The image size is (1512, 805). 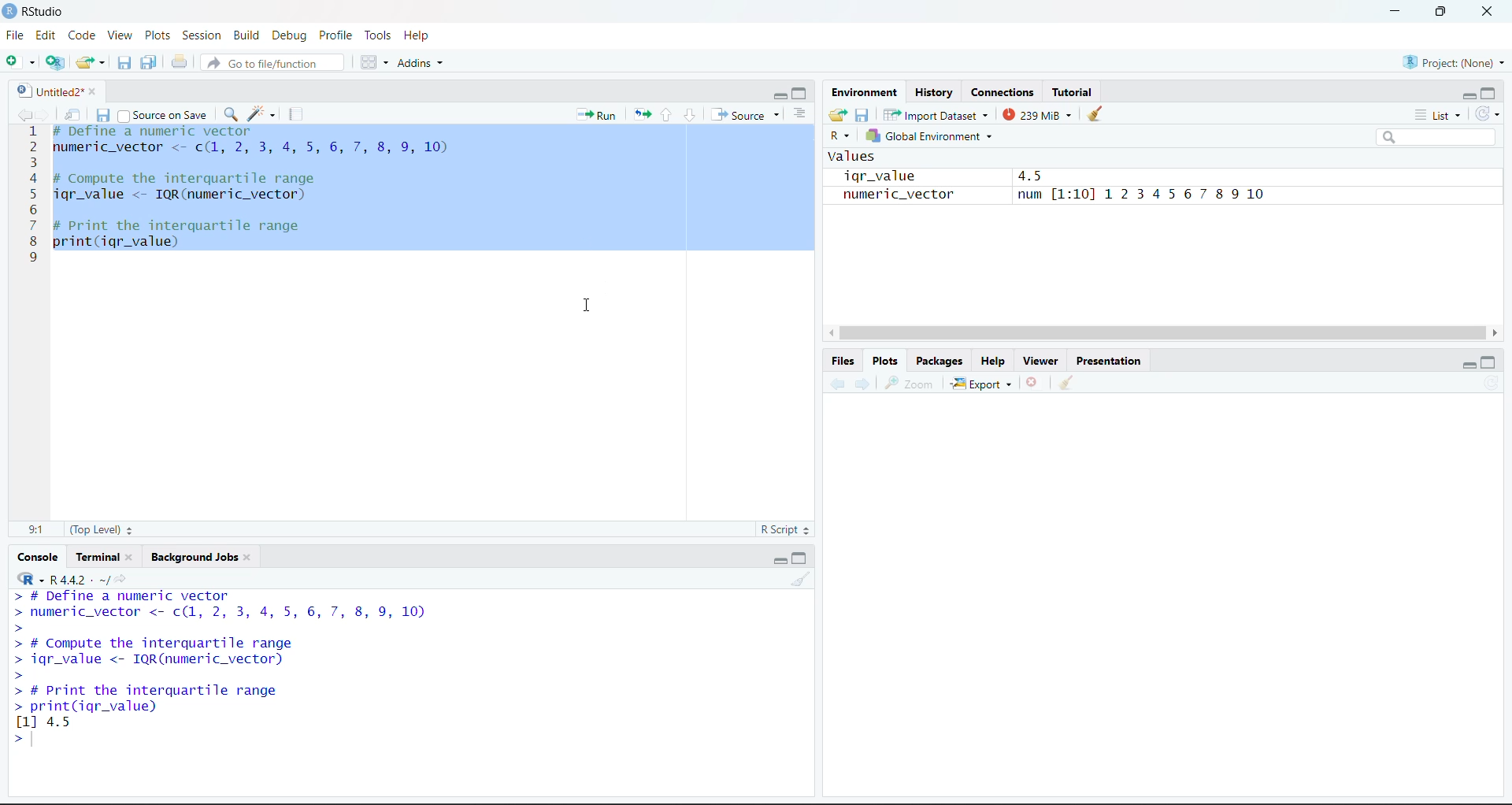 I want to click on Maximize, so click(x=802, y=557).